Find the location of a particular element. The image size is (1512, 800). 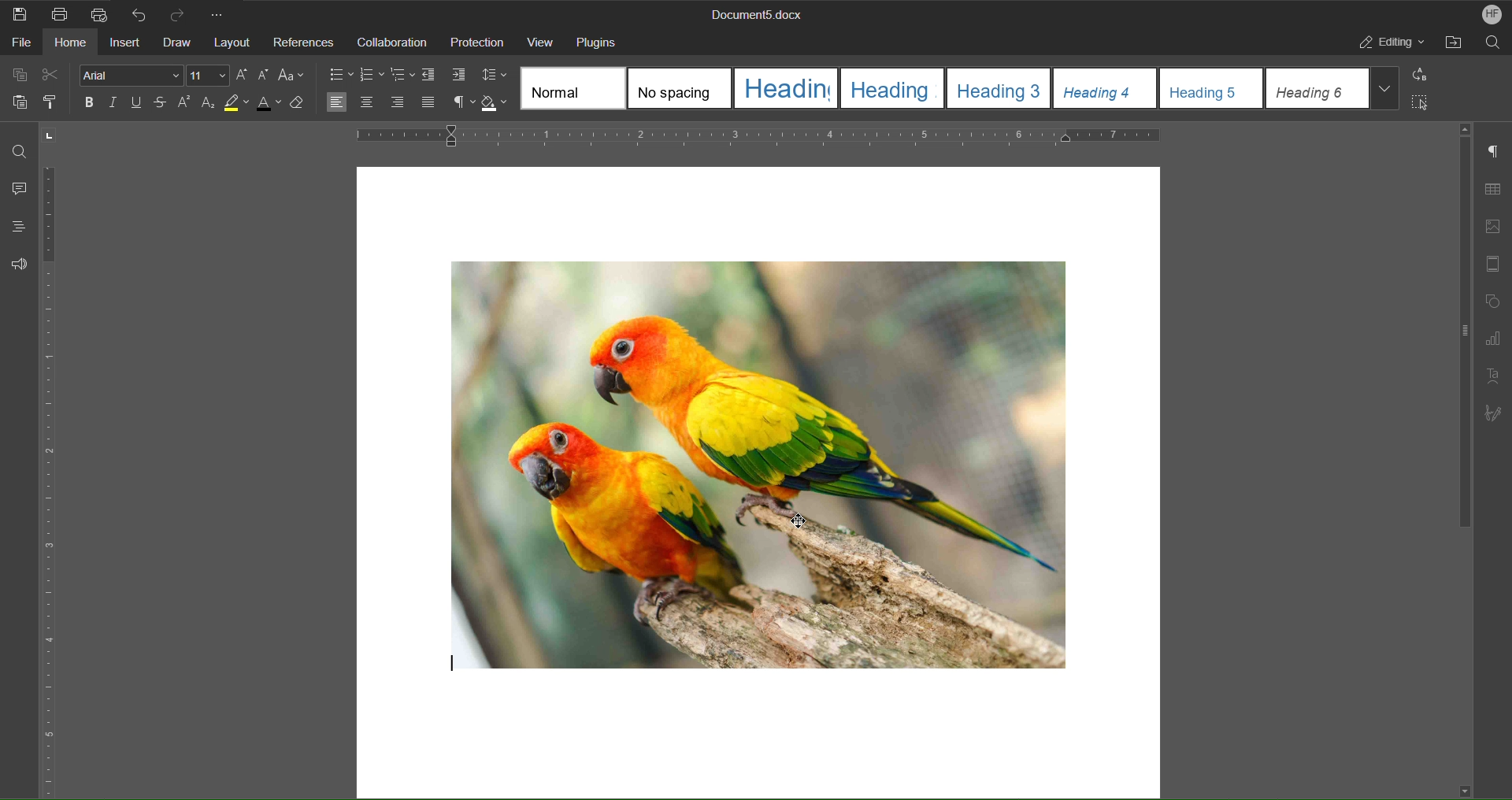

Bold is located at coordinates (87, 102).